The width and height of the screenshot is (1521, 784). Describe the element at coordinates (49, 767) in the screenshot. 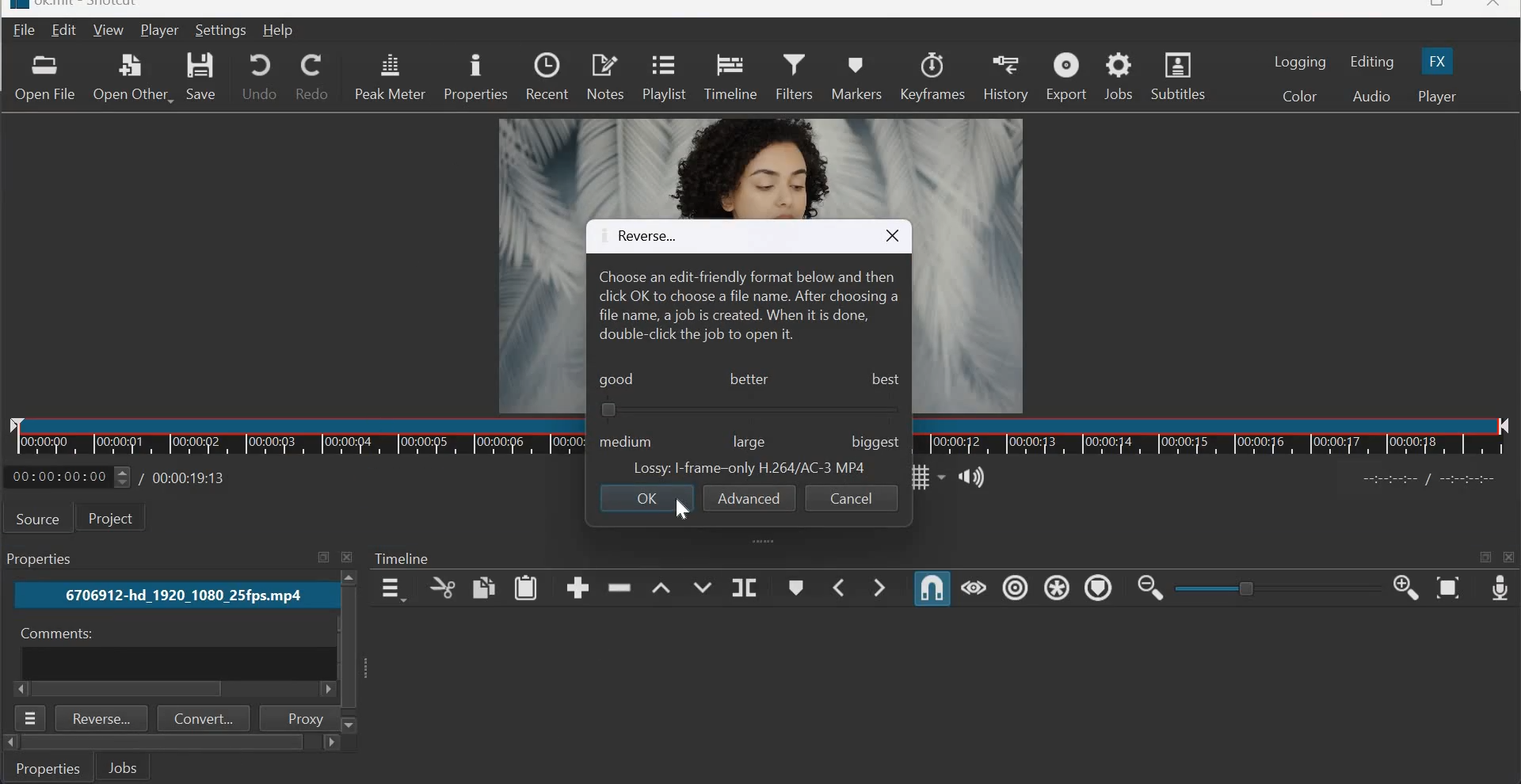

I see `Properties` at that location.